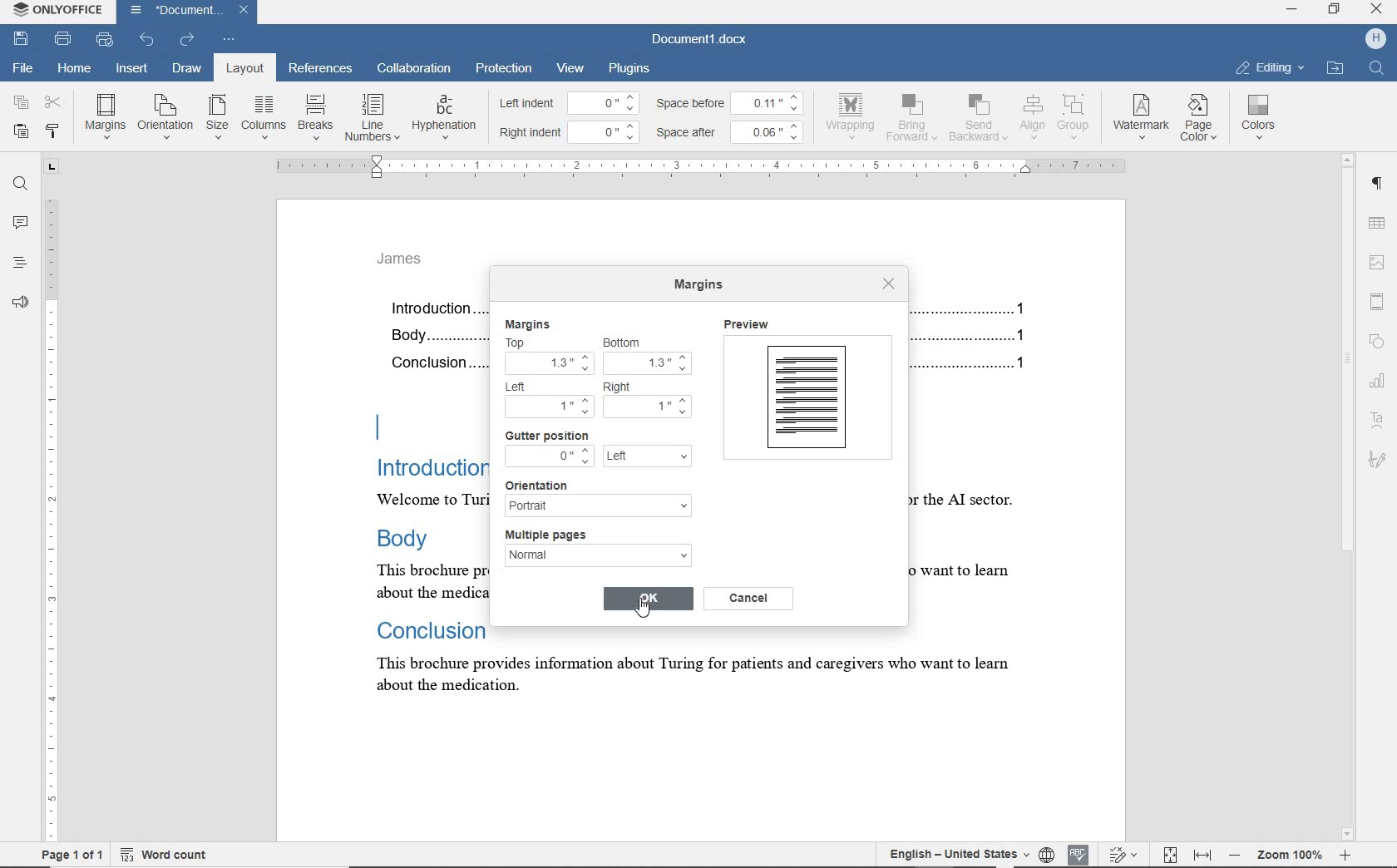  Describe the element at coordinates (321, 70) in the screenshot. I see `references` at that location.